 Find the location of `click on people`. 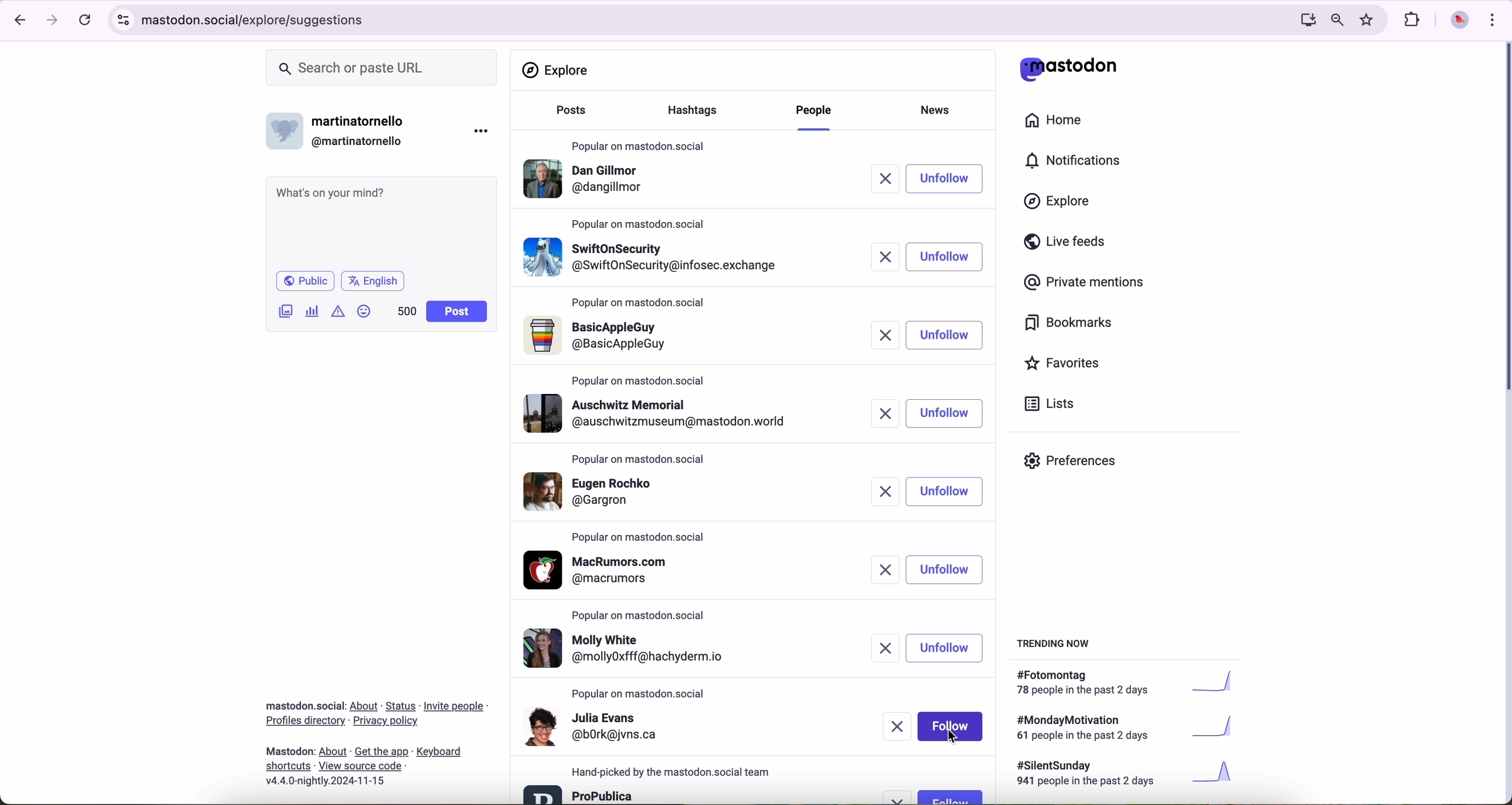

click on people is located at coordinates (816, 116).